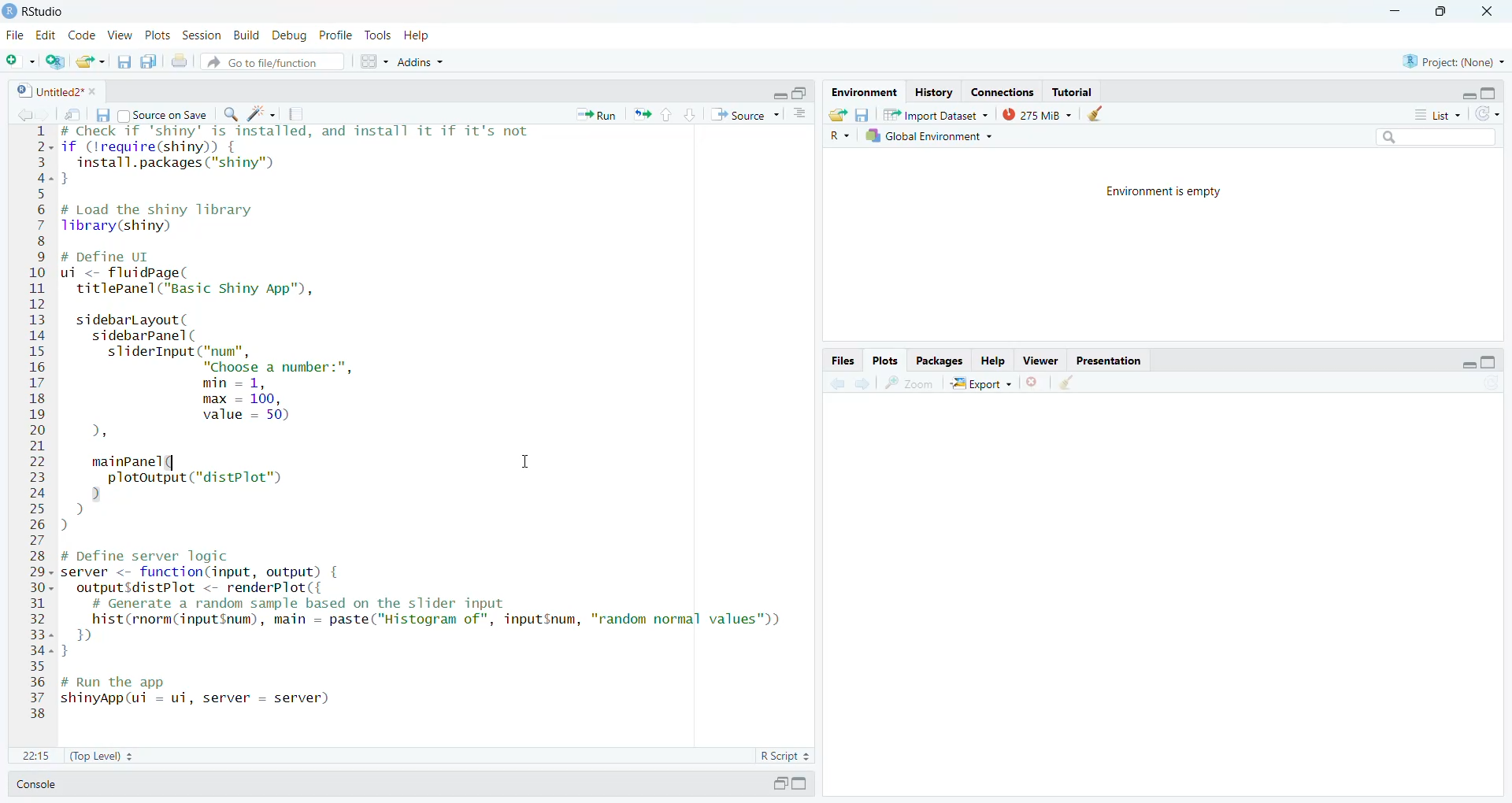 The image size is (1512, 803). What do you see at coordinates (416, 35) in the screenshot?
I see `help` at bounding box center [416, 35].